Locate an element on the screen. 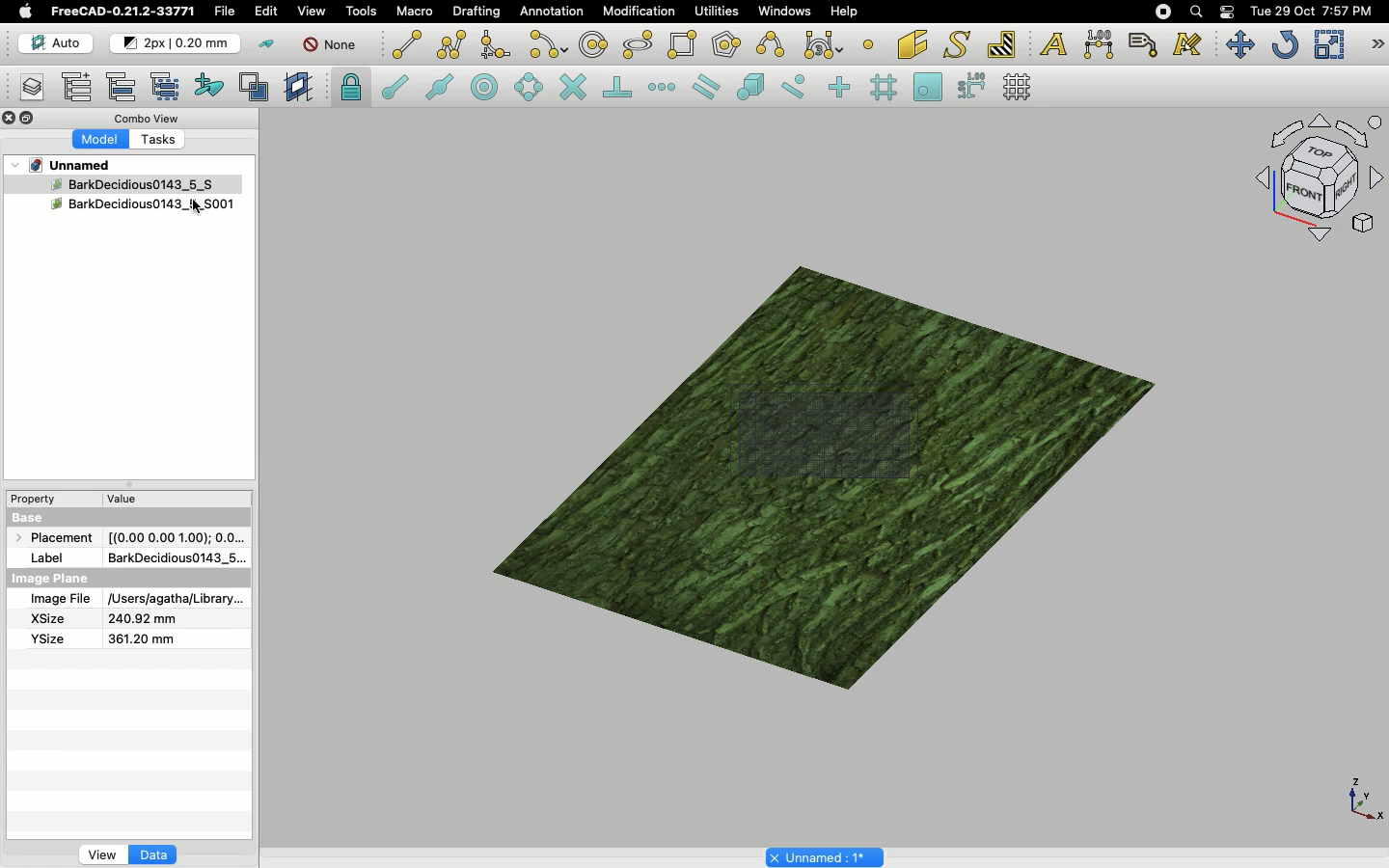 The image size is (1389, 868). Property is located at coordinates (39, 499).